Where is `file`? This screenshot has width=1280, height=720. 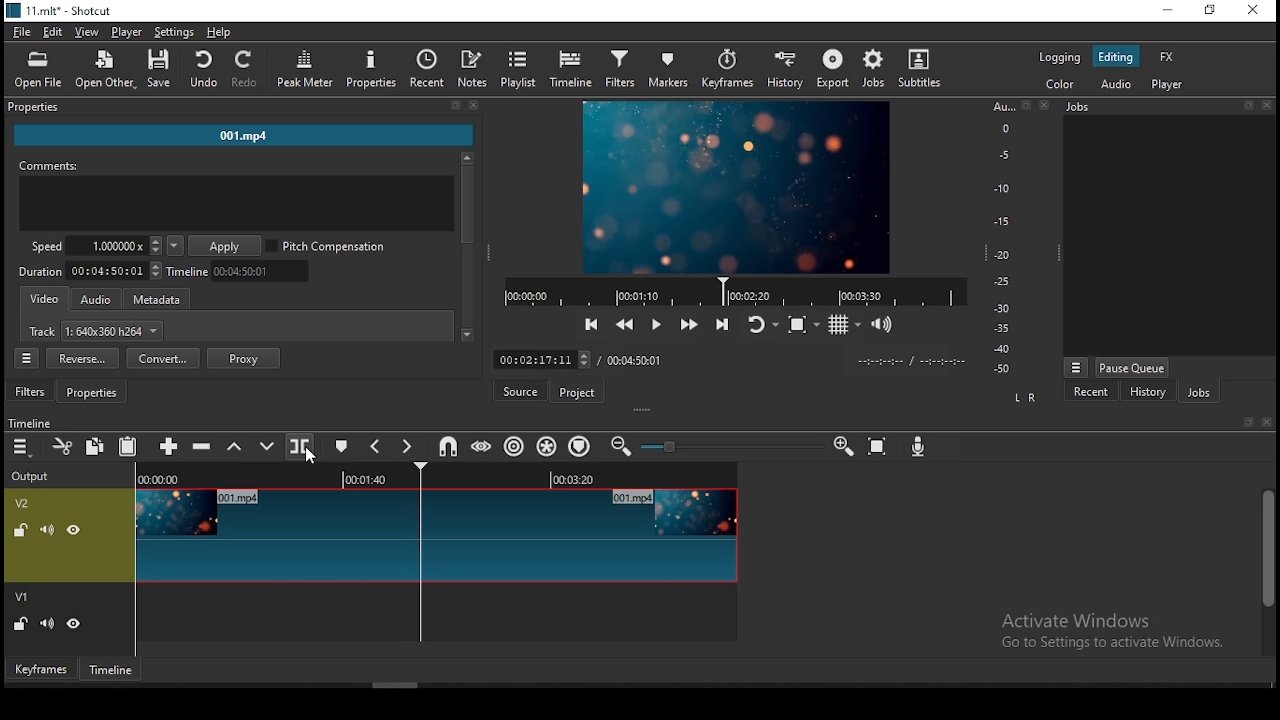 file is located at coordinates (20, 31).